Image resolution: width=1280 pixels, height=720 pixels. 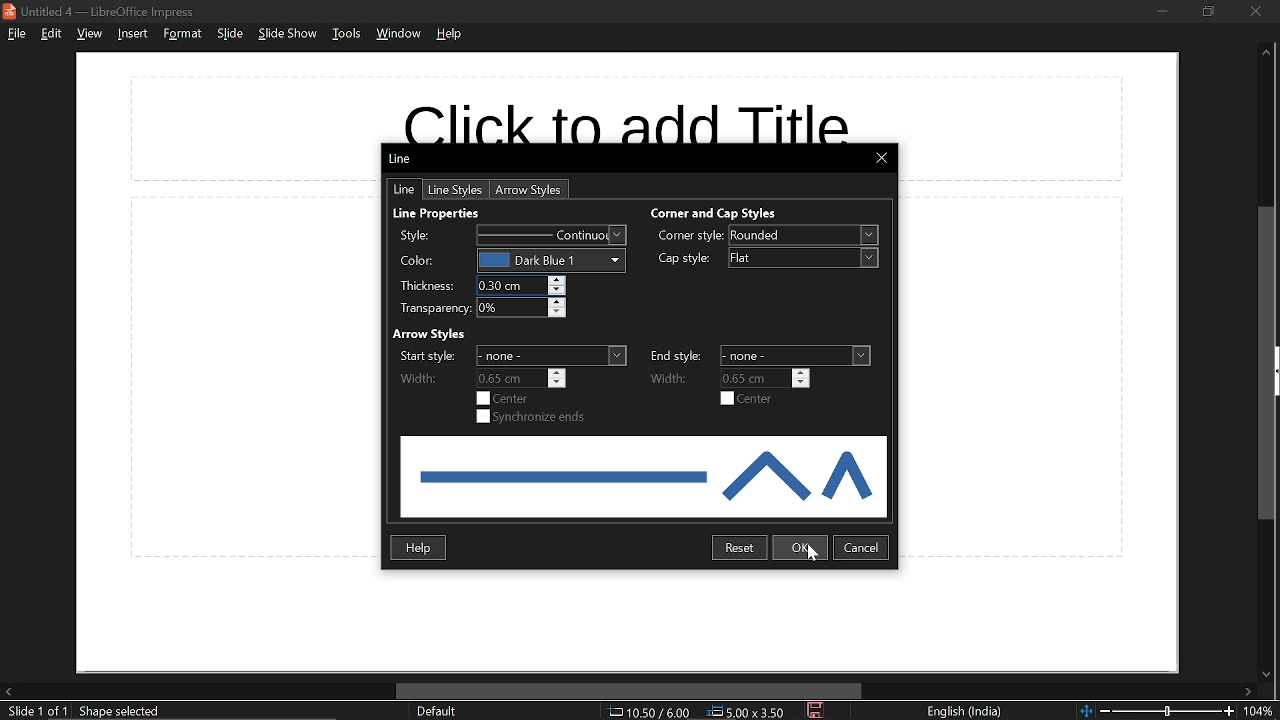 I want to click on preview, so click(x=643, y=476).